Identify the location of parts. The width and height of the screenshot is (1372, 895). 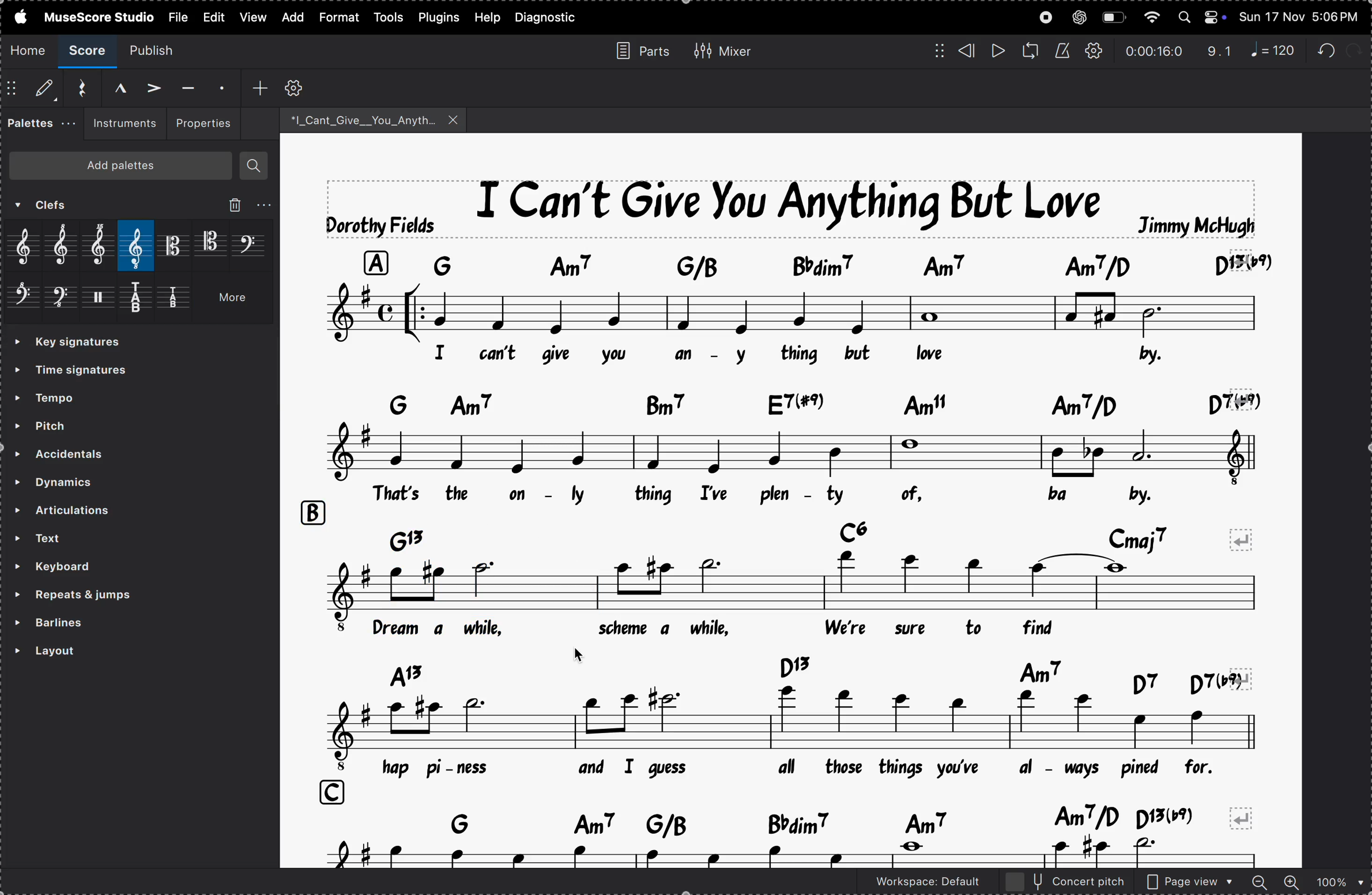
(638, 50).